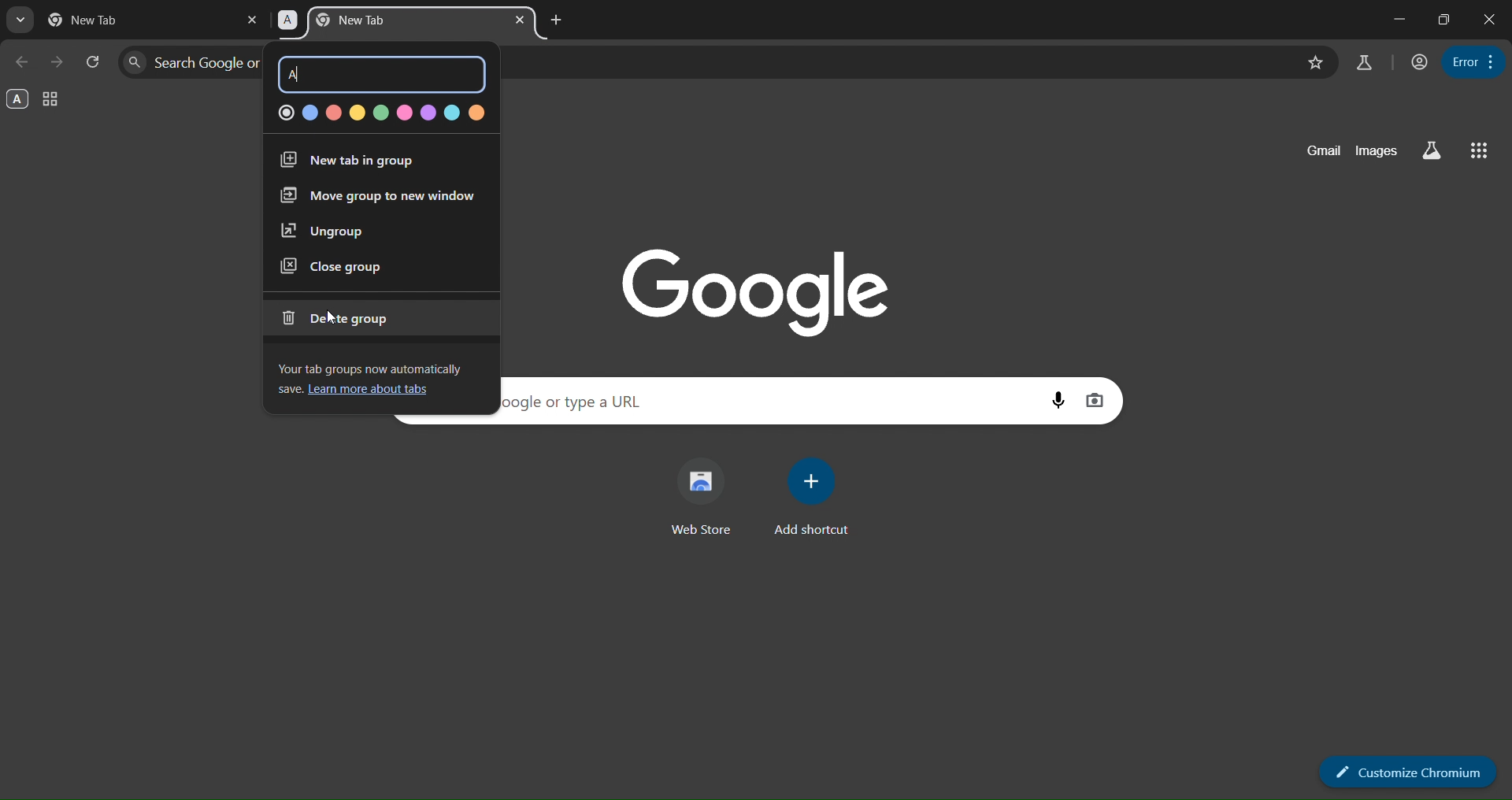 The width and height of the screenshot is (1512, 800). What do you see at coordinates (1416, 62) in the screenshot?
I see `account` at bounding box center [1416, 62].